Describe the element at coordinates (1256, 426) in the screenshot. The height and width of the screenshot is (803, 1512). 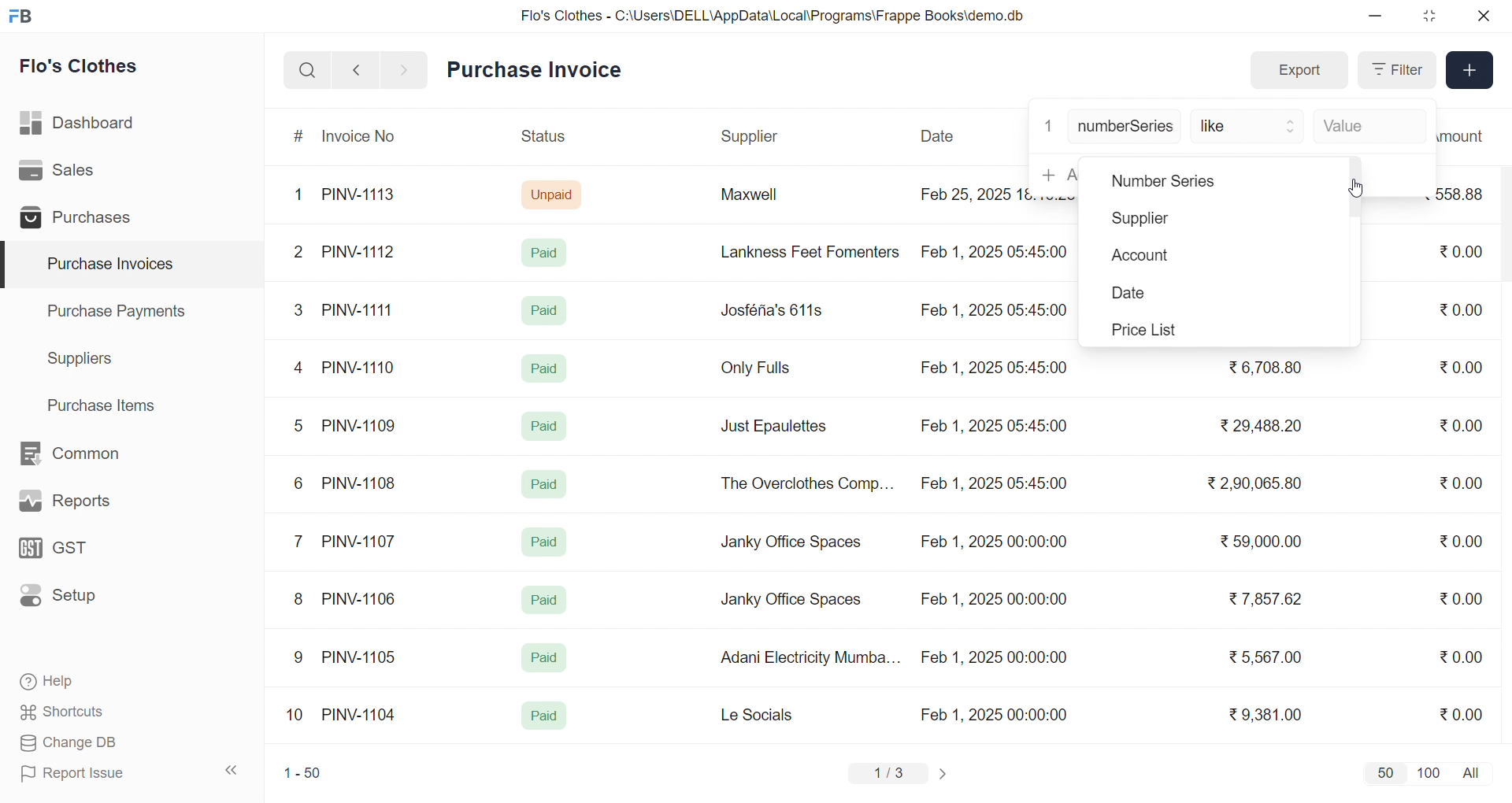
I see `₹29,488.20` at that location.